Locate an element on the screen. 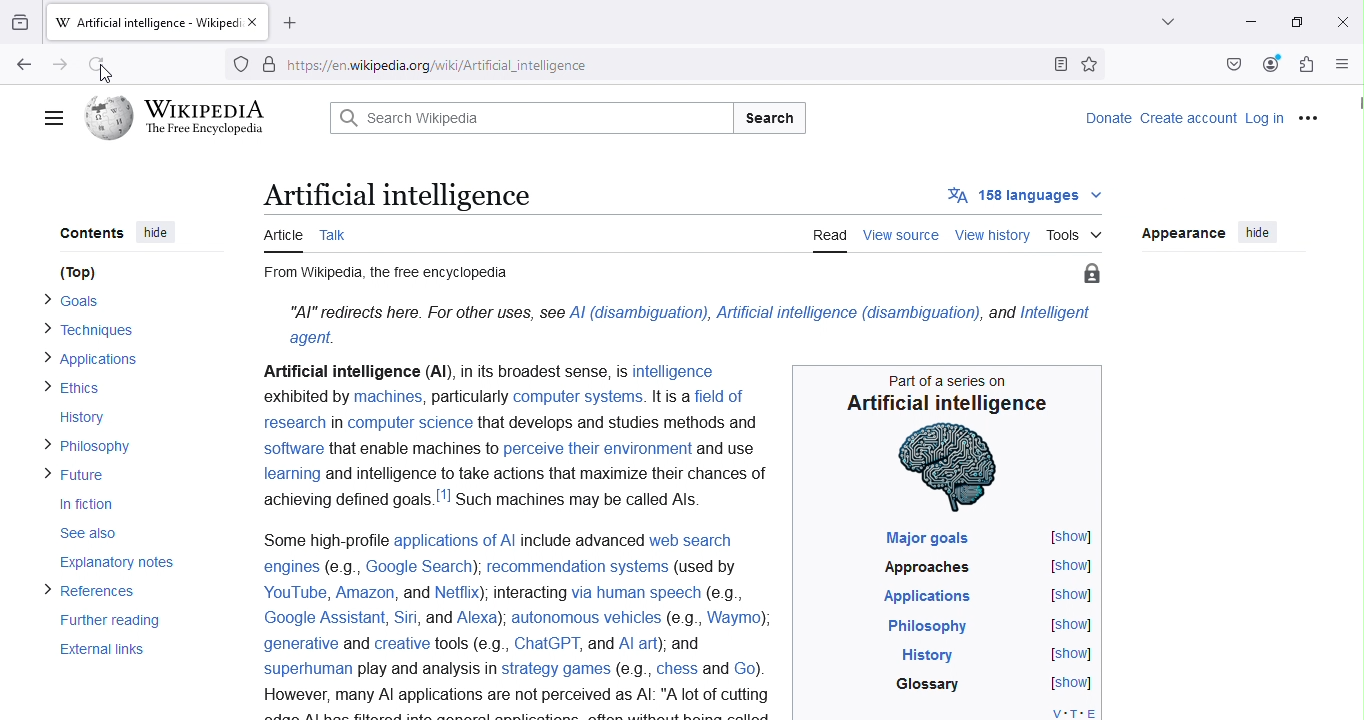 This screenshot has width=1364, height=720. Netflix) is located at coordinates (460, 592).